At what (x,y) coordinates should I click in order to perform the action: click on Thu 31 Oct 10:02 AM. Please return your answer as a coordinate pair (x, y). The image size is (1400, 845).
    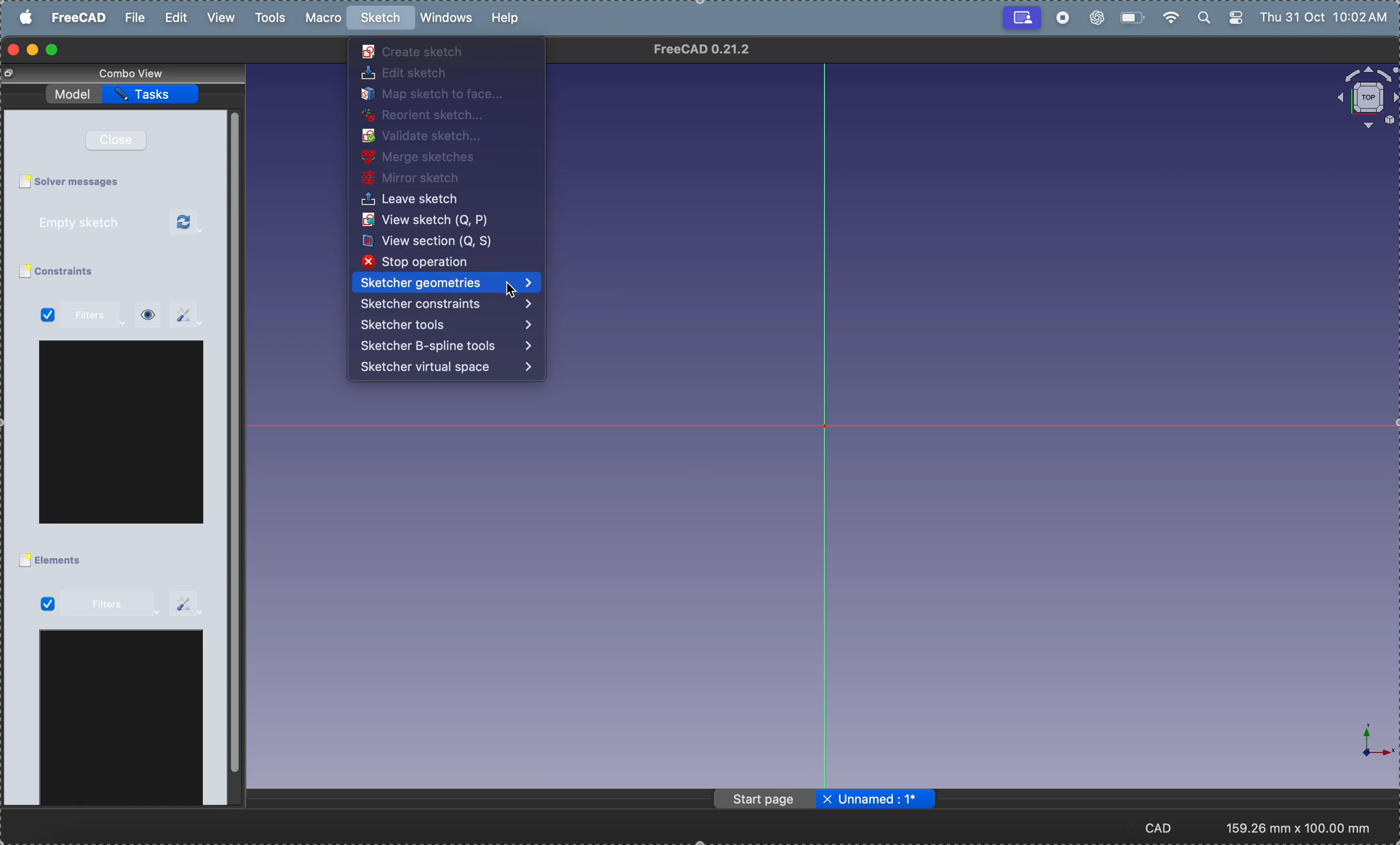
    Looking at the image, I should click on (1327, 19).